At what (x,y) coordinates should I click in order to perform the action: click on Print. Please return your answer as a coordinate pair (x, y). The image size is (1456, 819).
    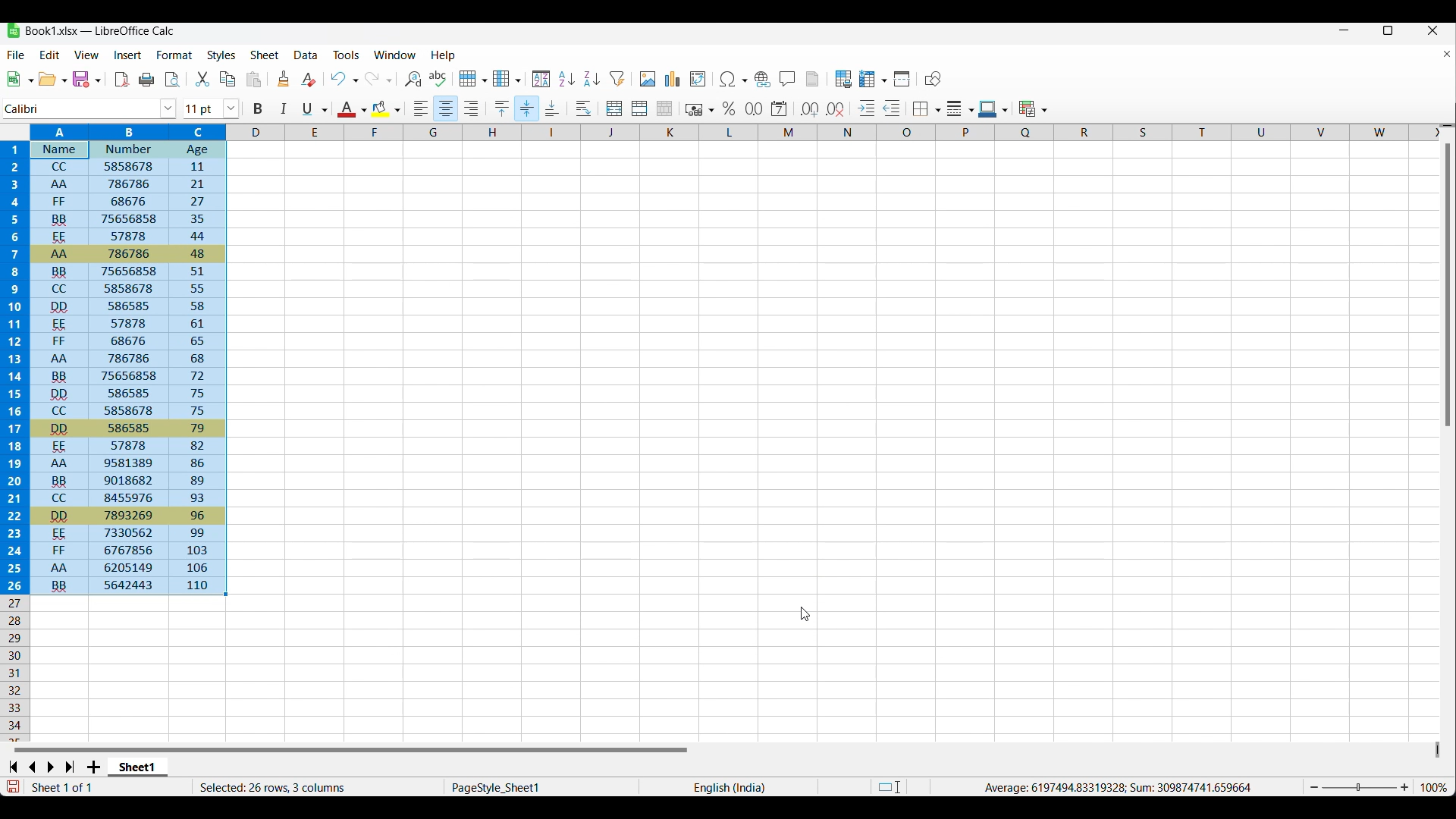
    Looking at the image, I should click on (146, 80).